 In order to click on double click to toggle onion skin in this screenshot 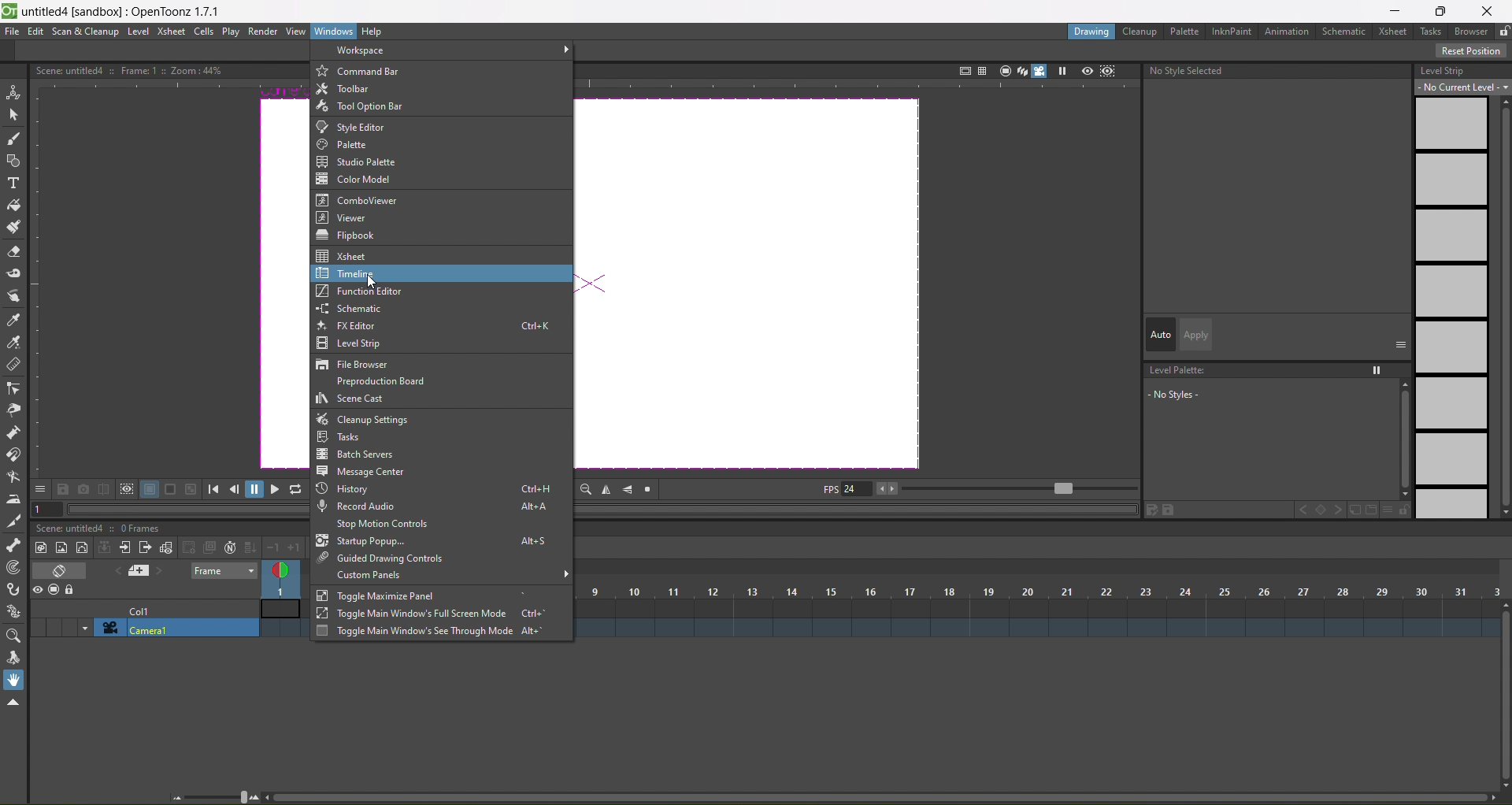, I will do `click(284, 580)`.